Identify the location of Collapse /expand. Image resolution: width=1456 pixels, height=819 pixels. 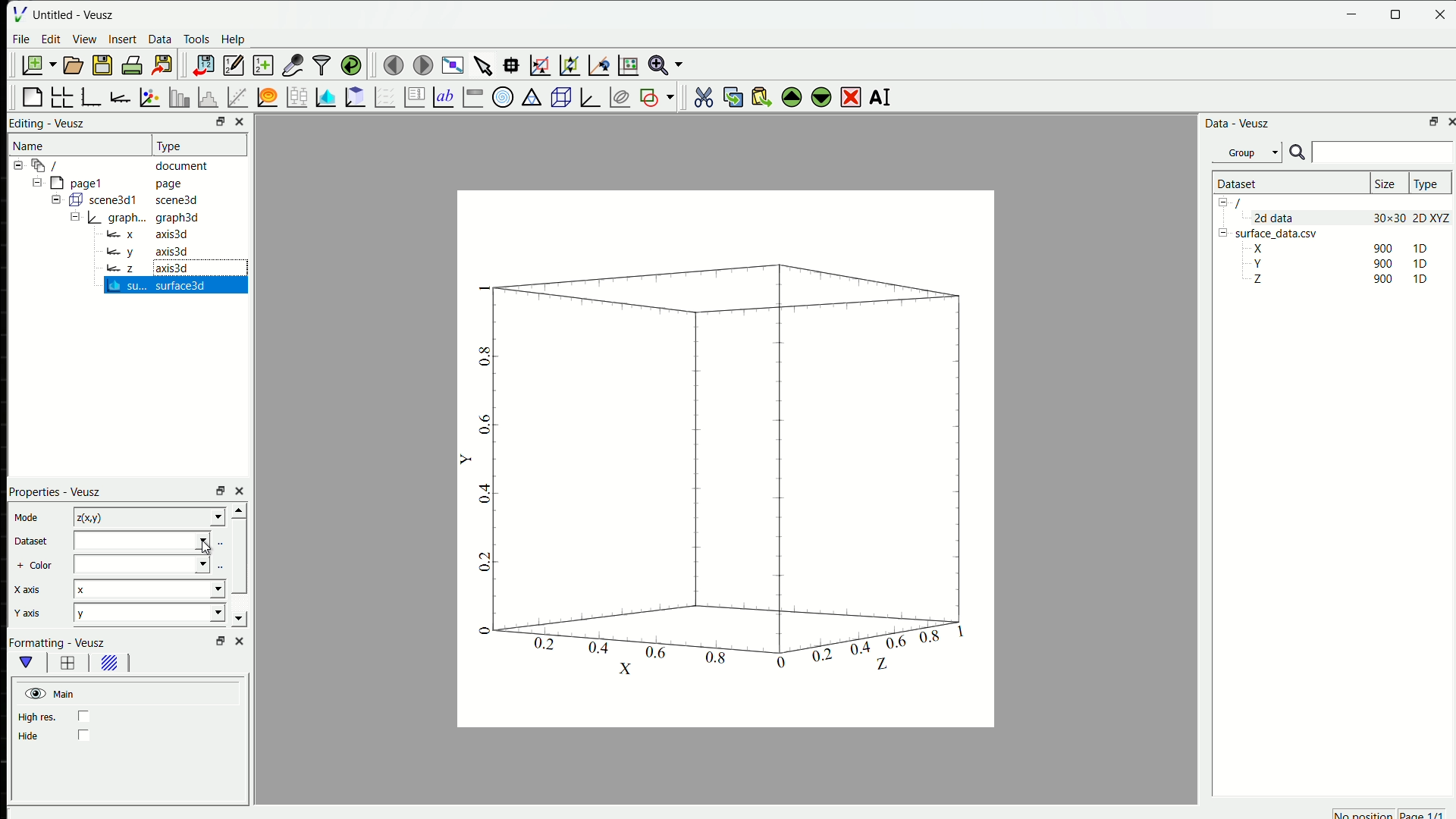
(1225, 234).